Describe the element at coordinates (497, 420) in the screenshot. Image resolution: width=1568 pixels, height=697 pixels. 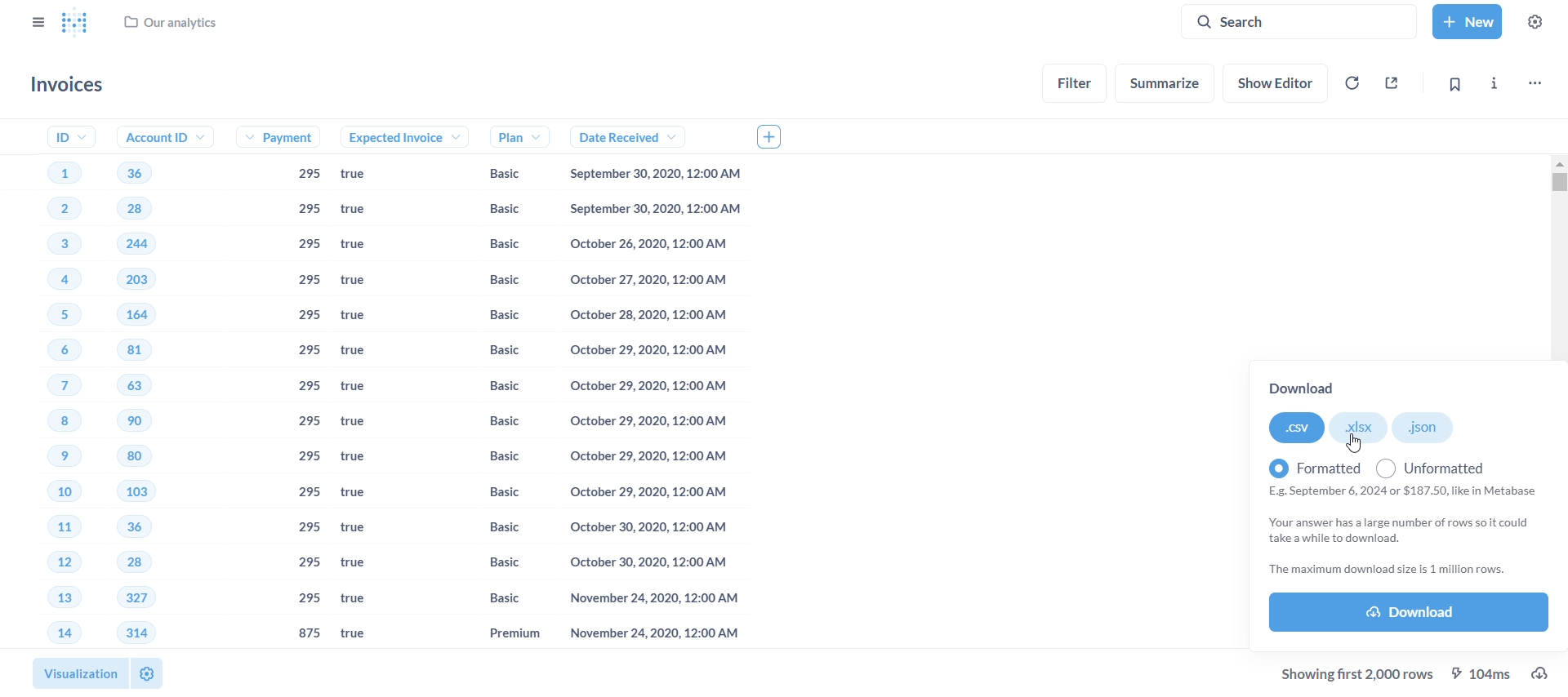
I see `Basic` at that location.